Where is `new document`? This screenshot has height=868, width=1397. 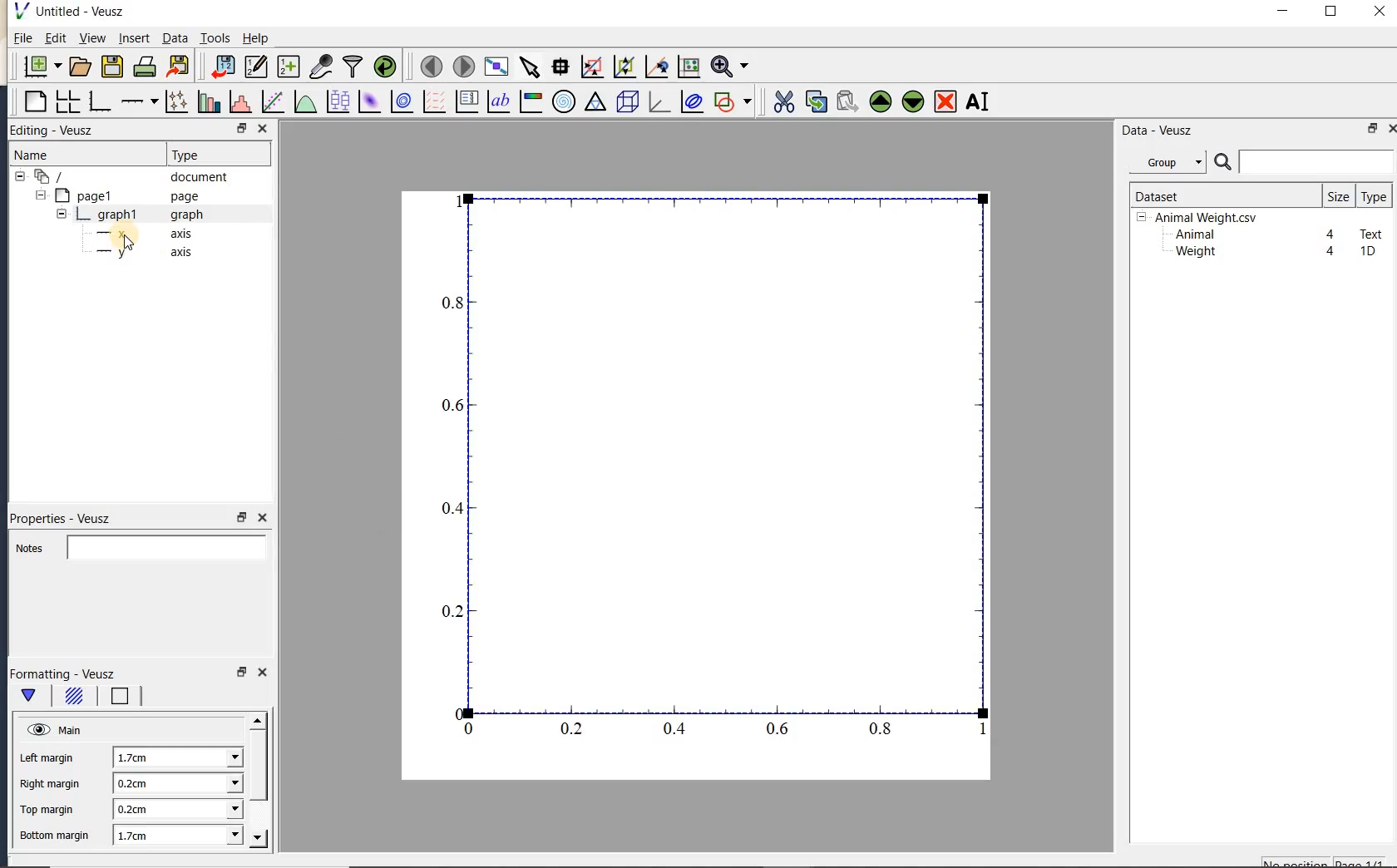 new document is located at coordinates (38, 67).